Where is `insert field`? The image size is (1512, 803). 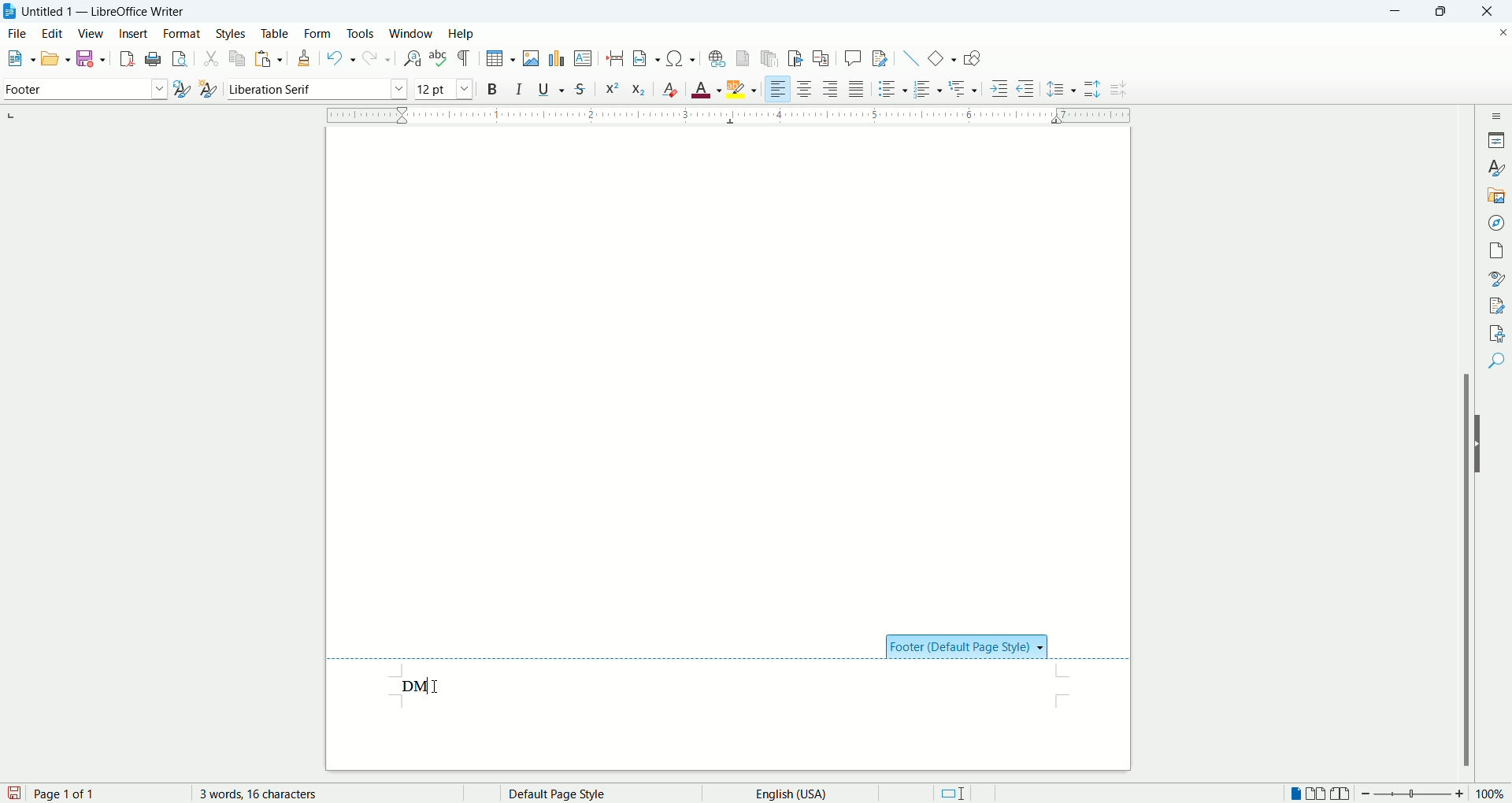 insert field is located at coordinates (646, 59).